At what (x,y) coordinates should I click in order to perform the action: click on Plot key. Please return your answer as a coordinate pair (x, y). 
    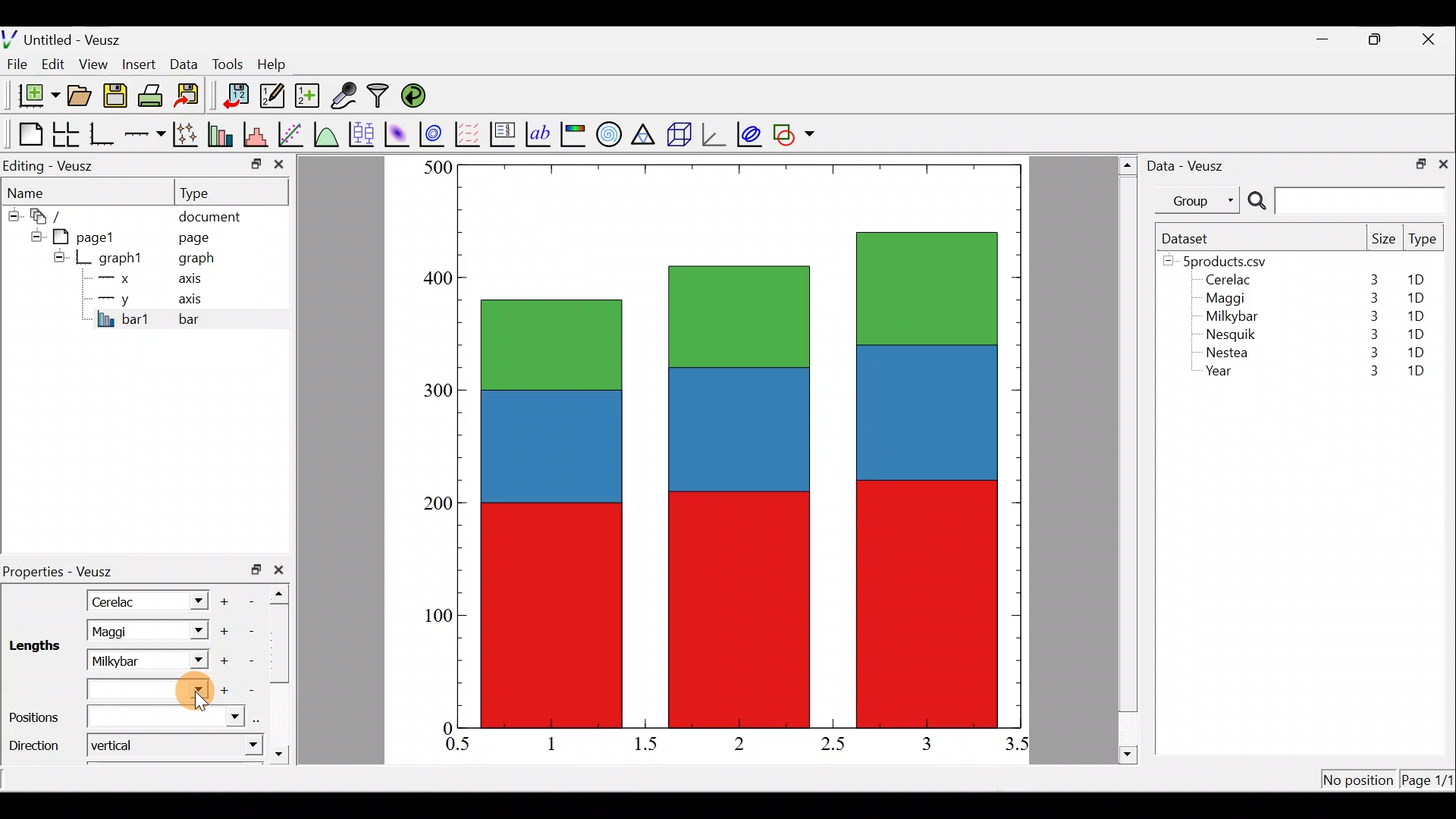
    Looking at the image, I should click on (504, 133).